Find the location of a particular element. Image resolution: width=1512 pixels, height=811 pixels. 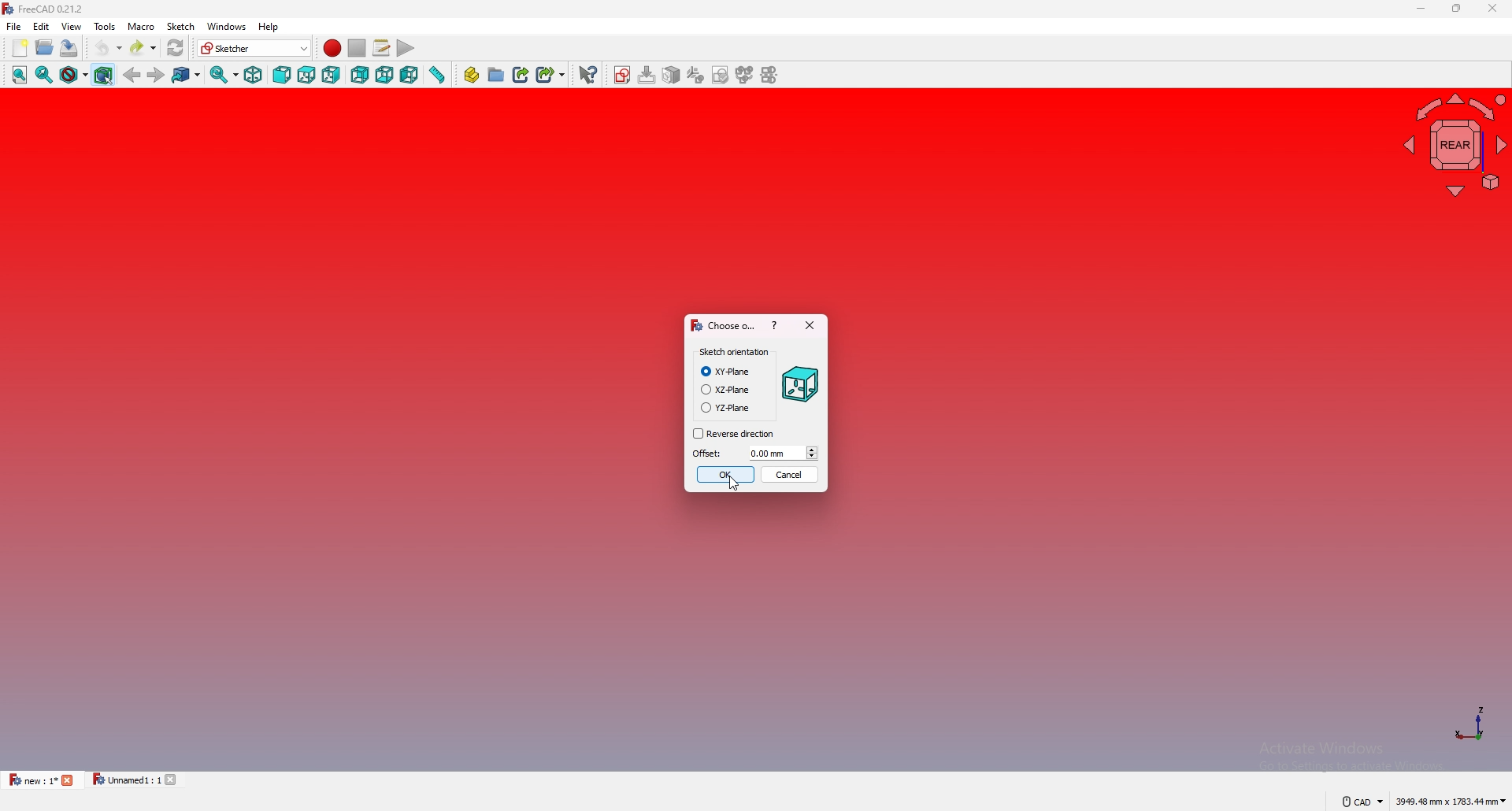

view is located at coordinates (72, 25).